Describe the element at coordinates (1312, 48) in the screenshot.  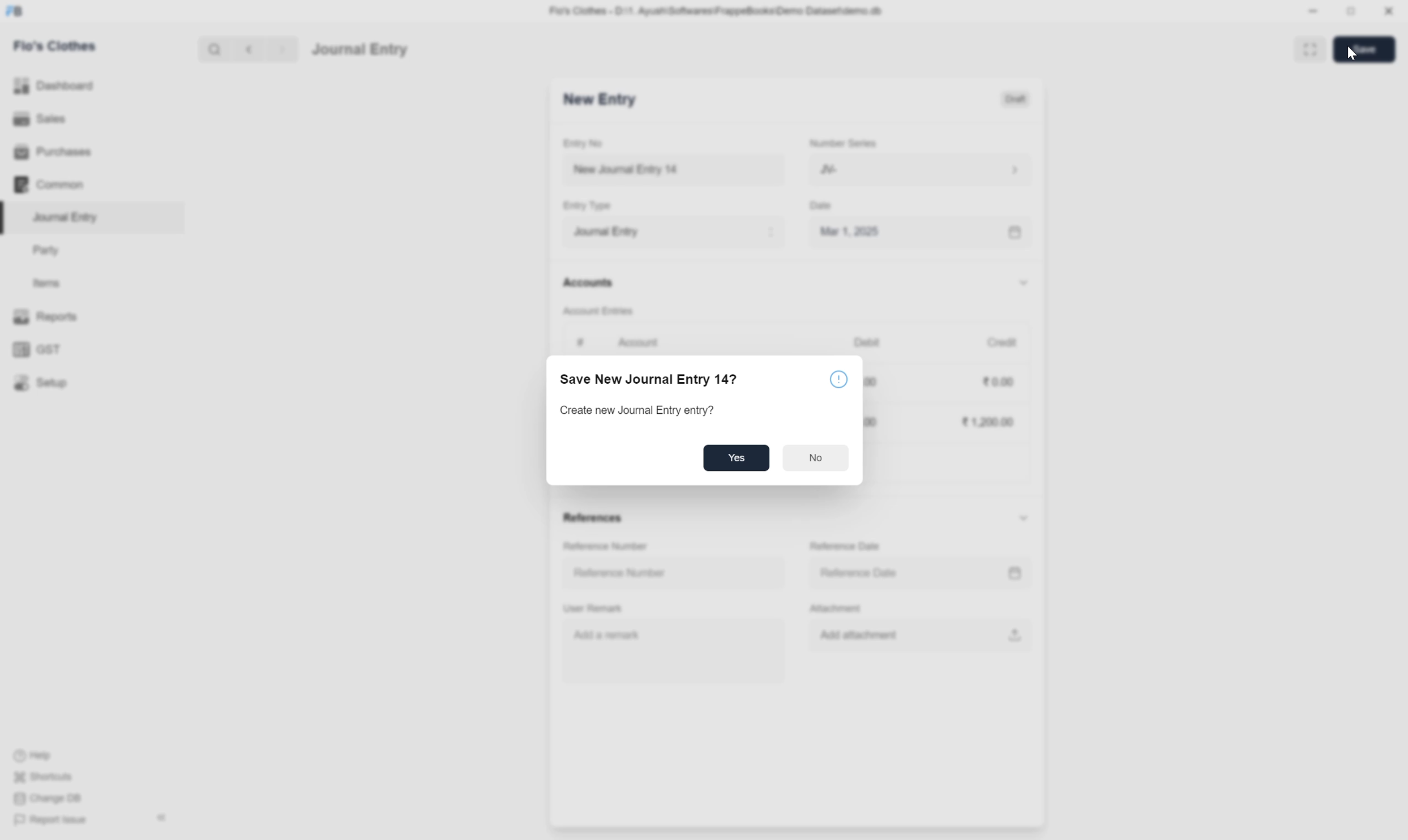
I see `enlarge` at that location.